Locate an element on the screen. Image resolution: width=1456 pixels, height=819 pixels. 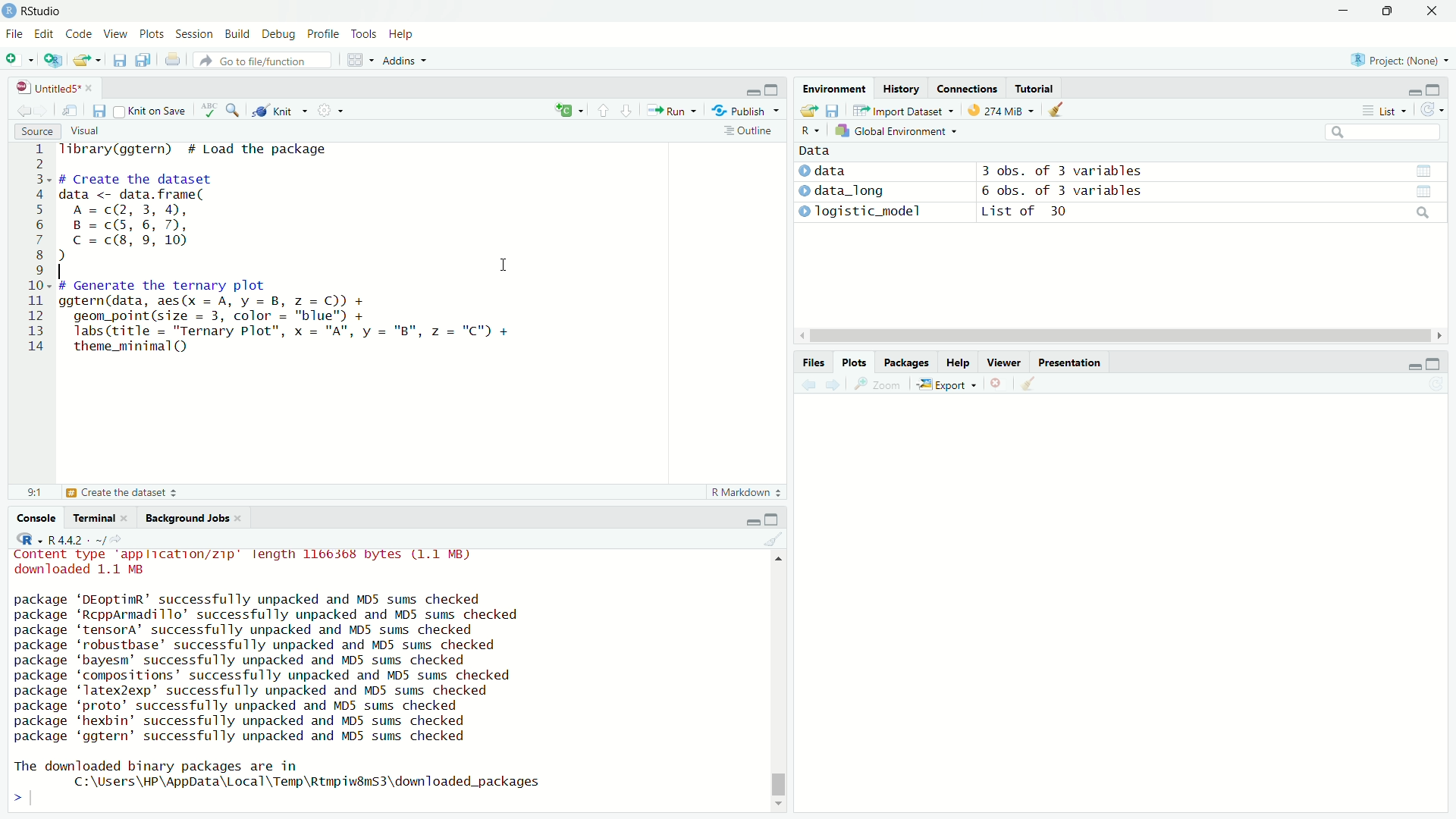
upward is located at coordinates (604, 111).